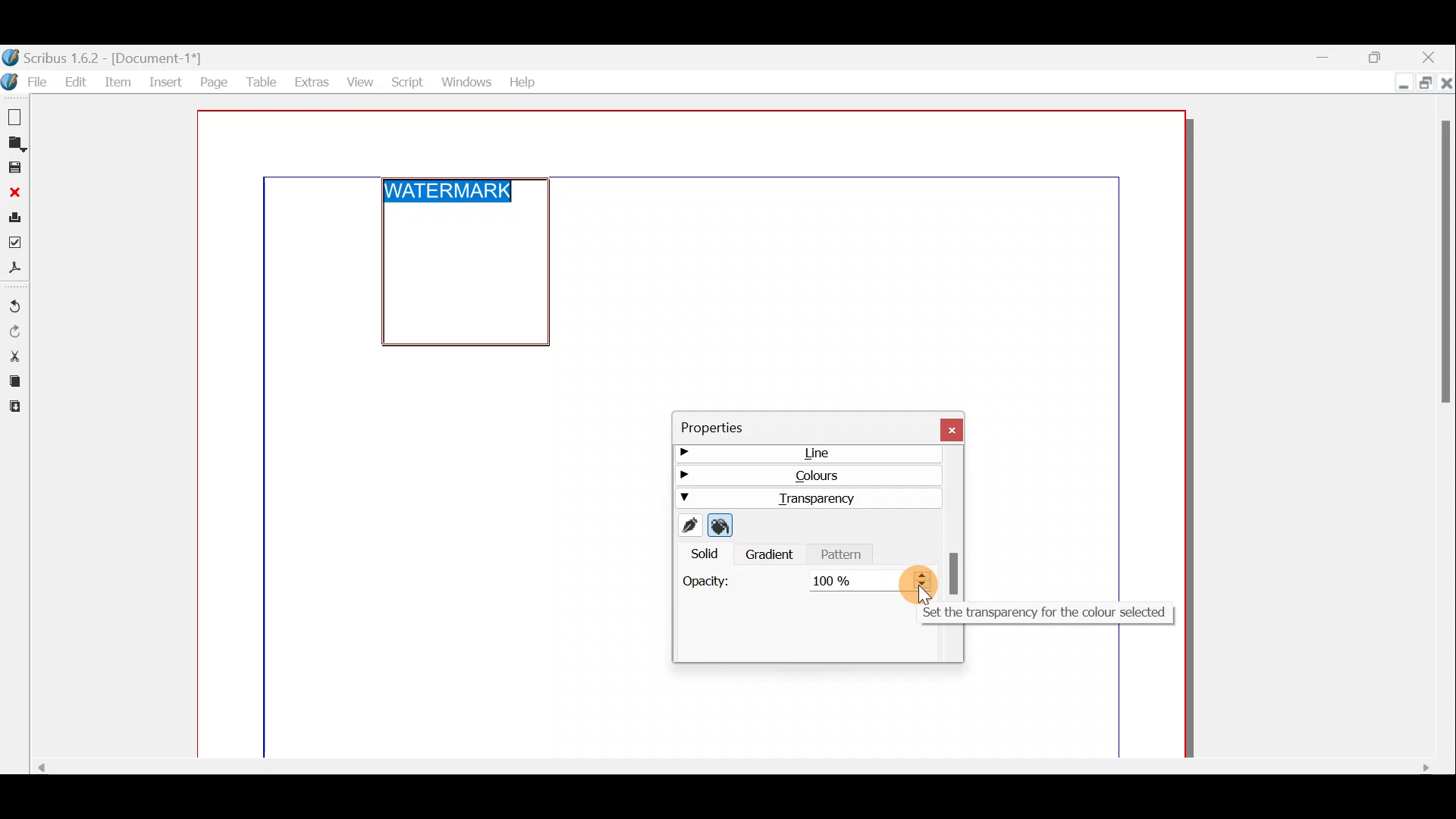 This screenshot has height=819, width=1456. Describe the element at coordinates (1399, 83) in the screenshot. I see `Minimise` at that location.